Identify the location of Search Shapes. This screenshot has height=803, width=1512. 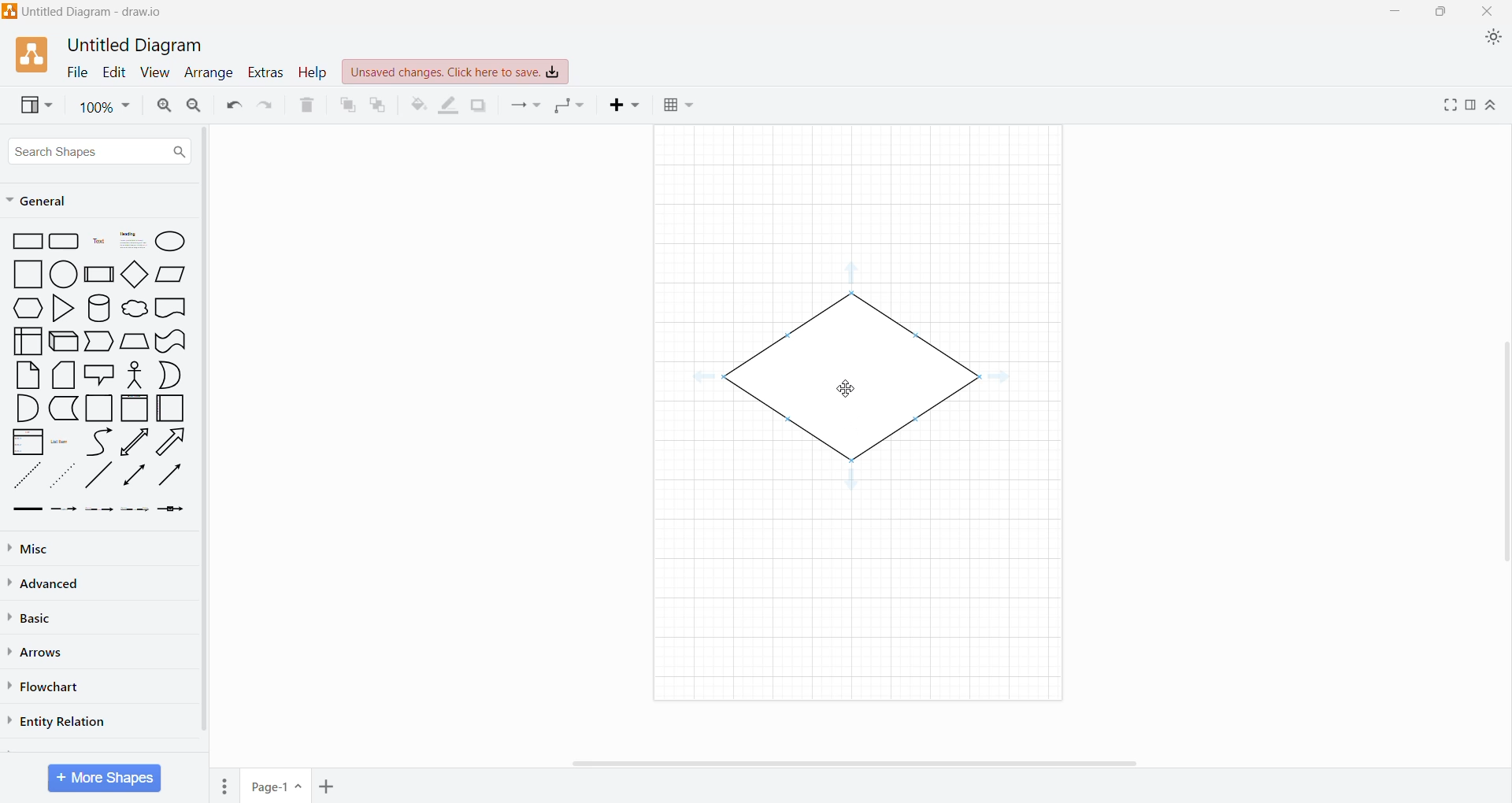
(101, 149).